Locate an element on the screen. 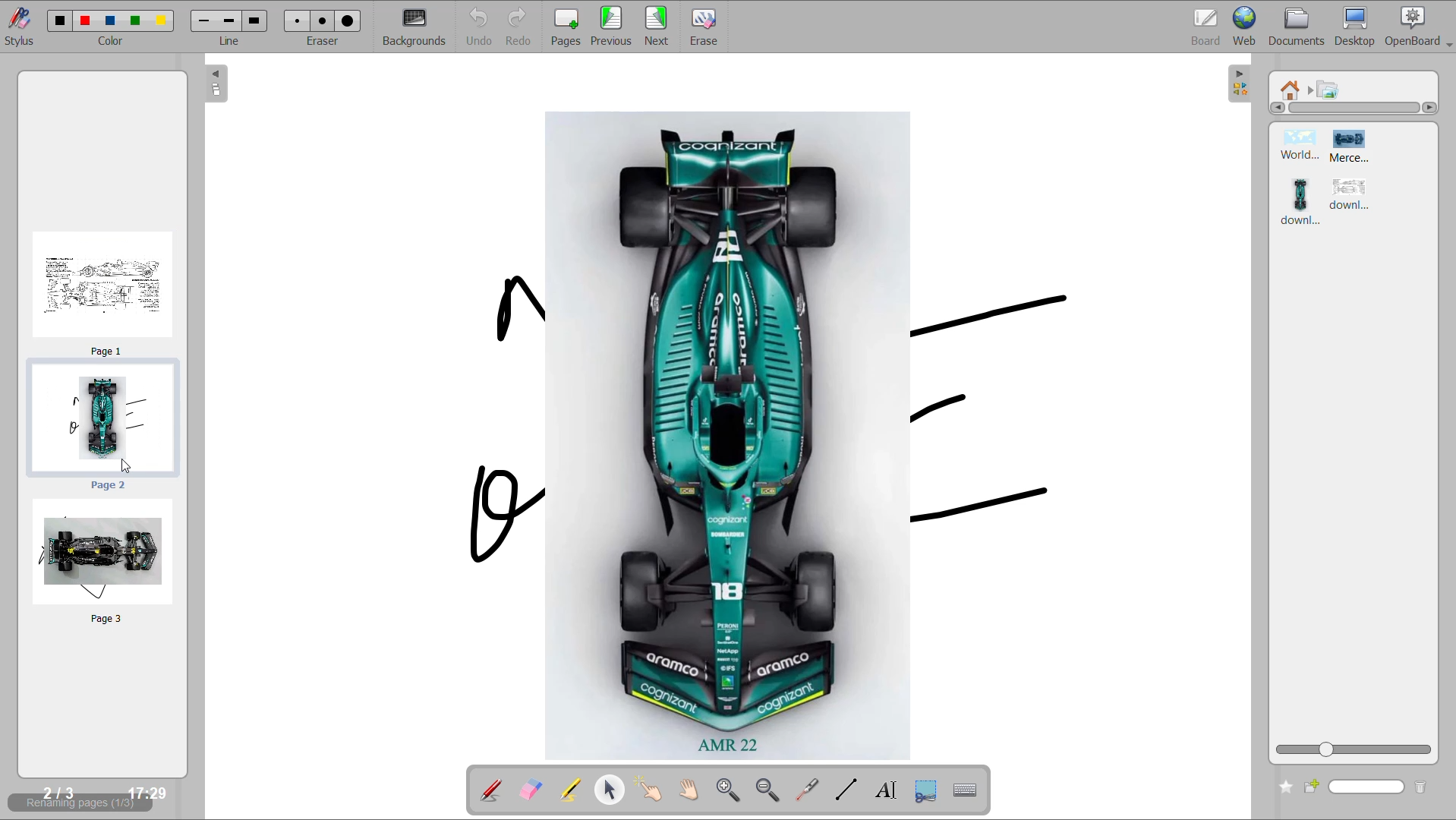 This screenshot has width=1456, height=820. color 4 is located at coordinates (136, 20).